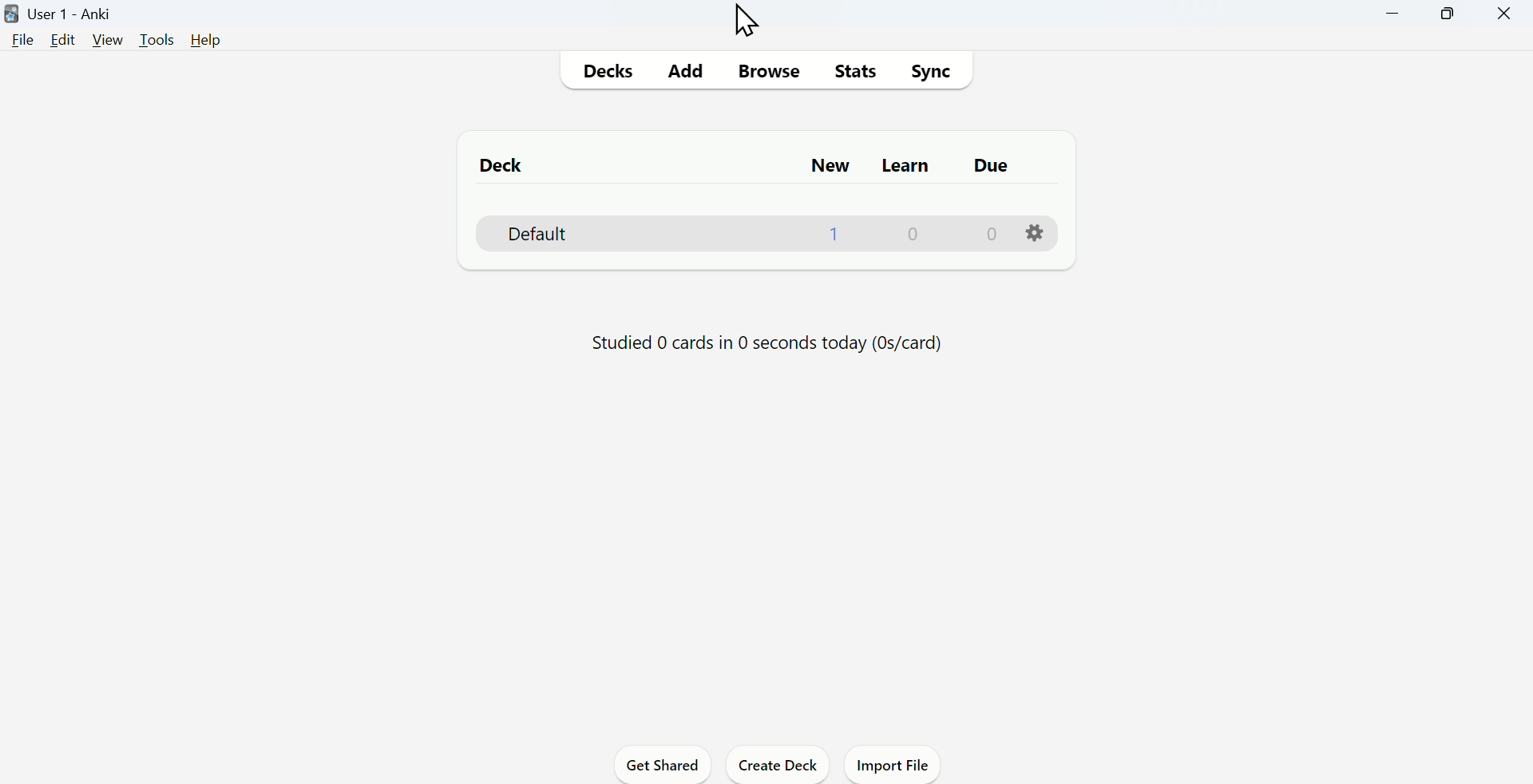  Describe the element at coordinates (894, 767) in the screenshot. I see `import file` at that location.